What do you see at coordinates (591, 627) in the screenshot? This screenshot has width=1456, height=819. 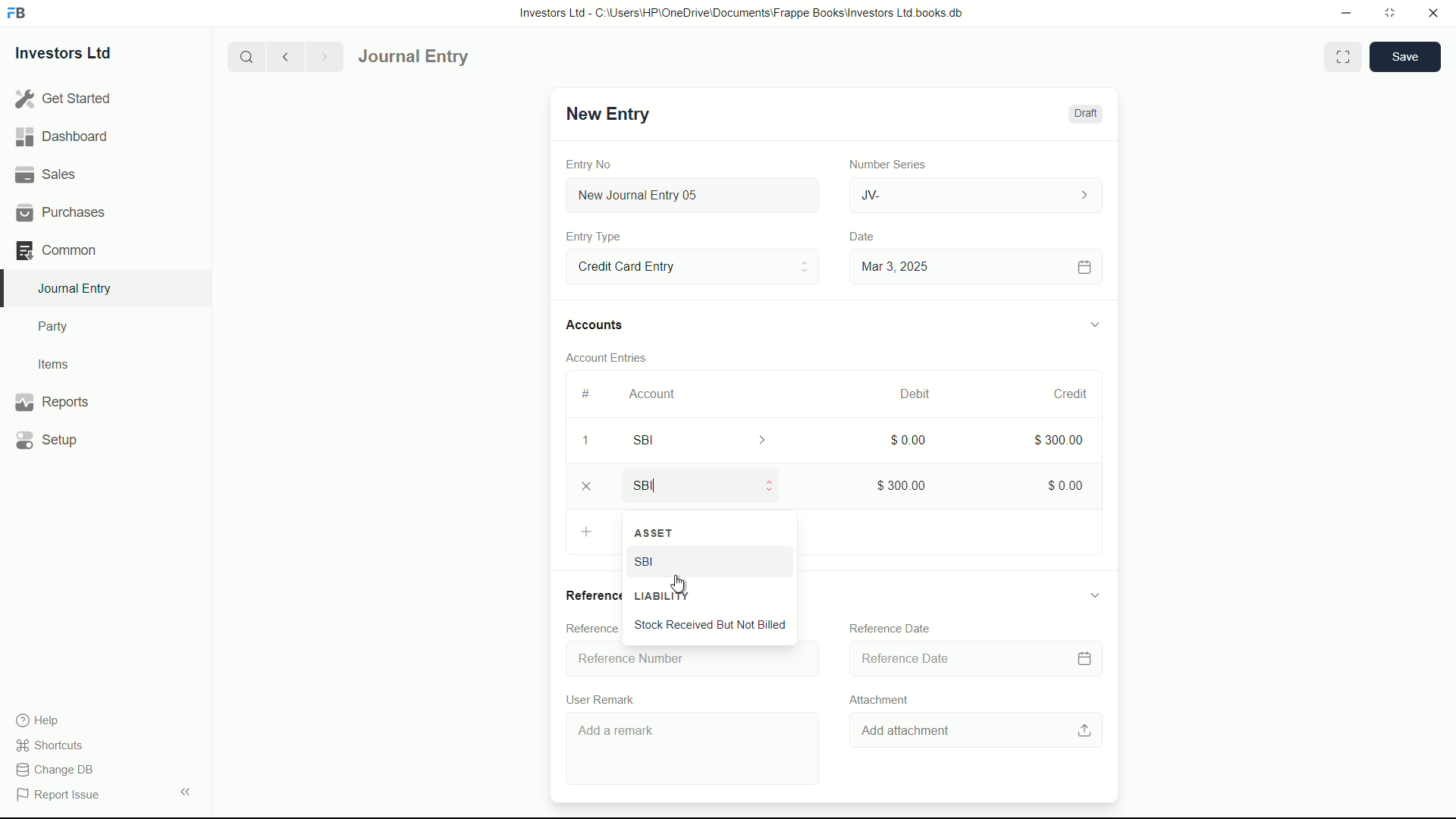 I see `Reference Number` at bounding box center [591, 627].